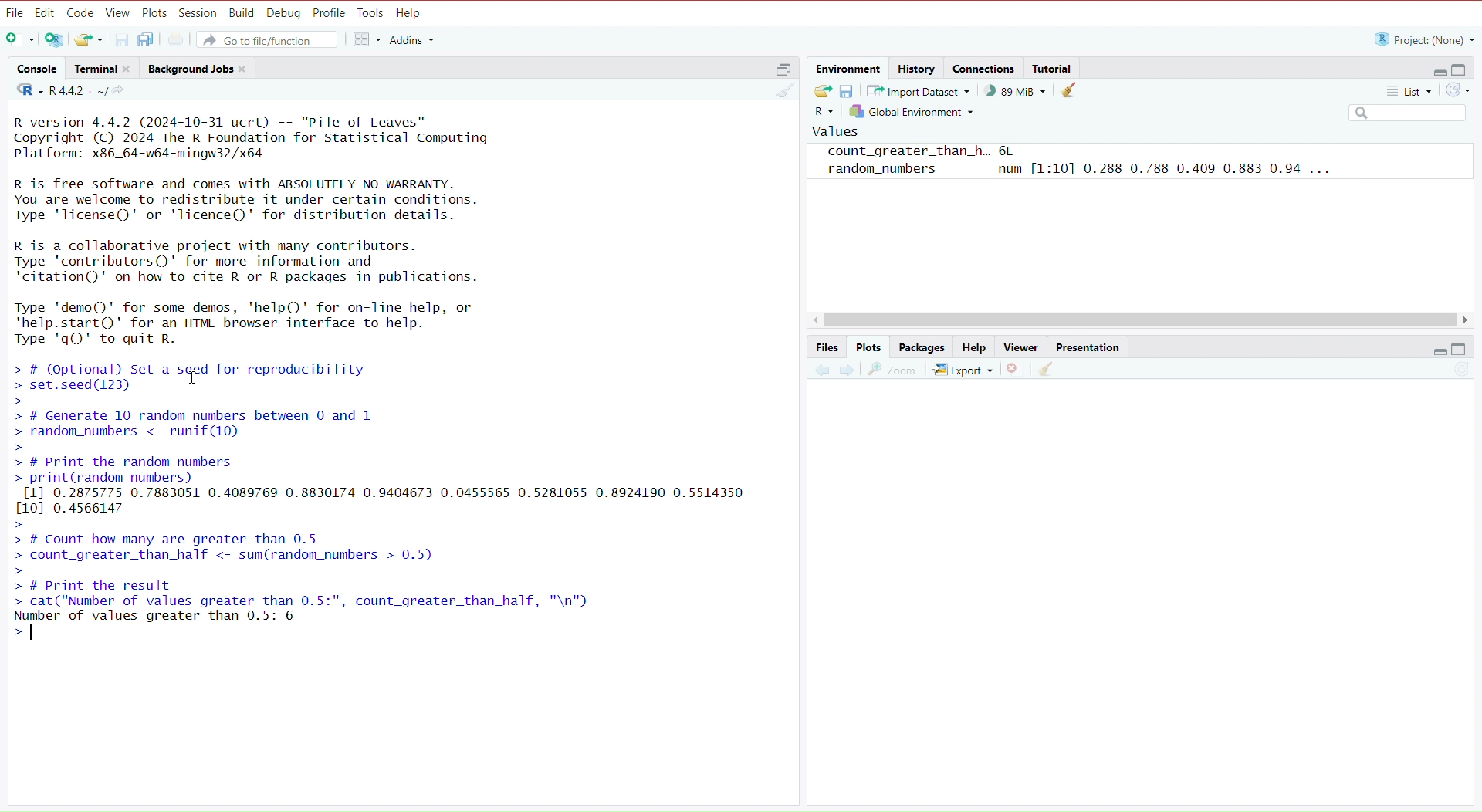 The height and width of the screenshot is (812, 1482). I want to click on Profile, so click(330, 12).